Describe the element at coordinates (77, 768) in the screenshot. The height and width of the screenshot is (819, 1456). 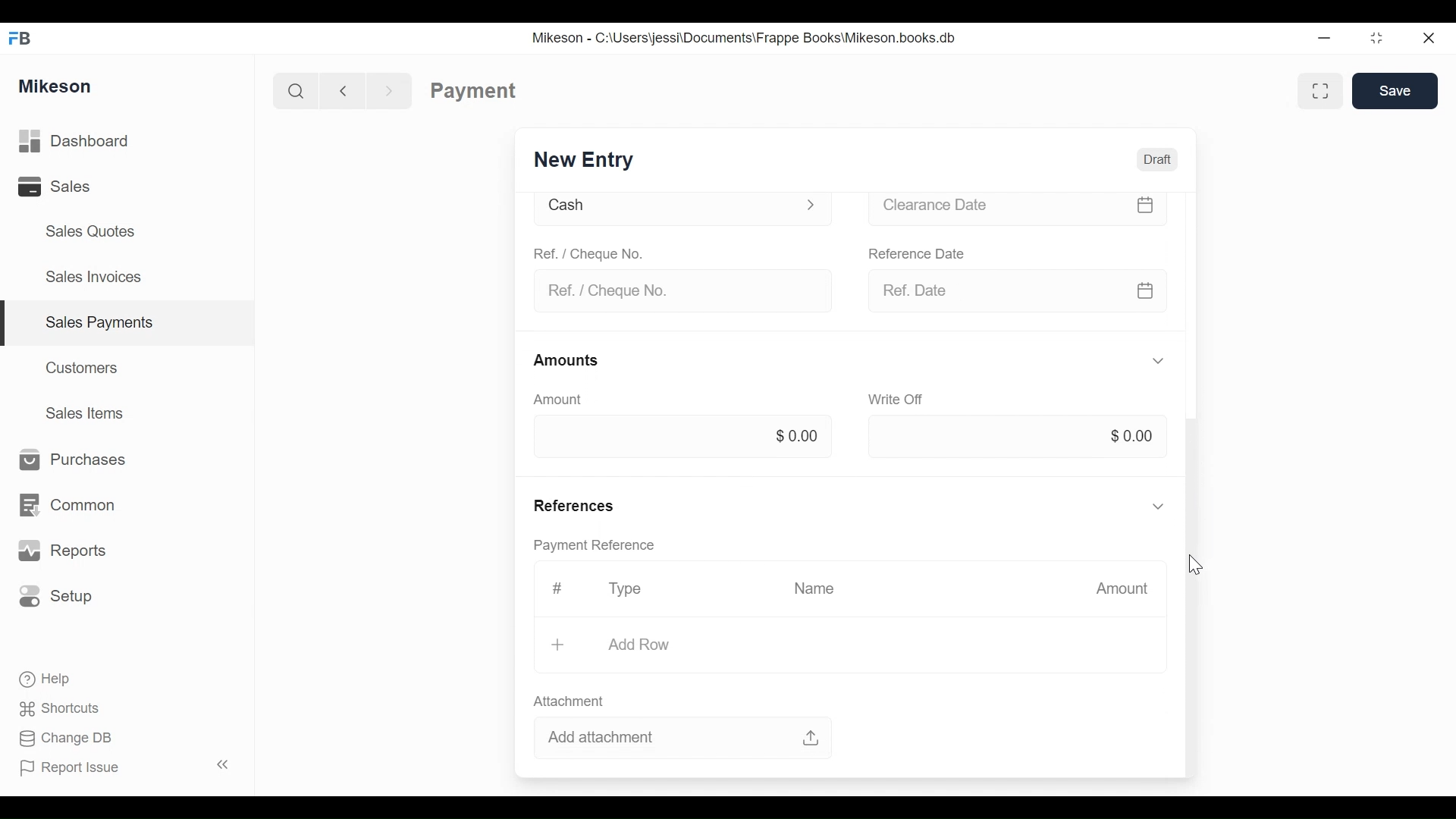
I see `Report Issue` at that location.